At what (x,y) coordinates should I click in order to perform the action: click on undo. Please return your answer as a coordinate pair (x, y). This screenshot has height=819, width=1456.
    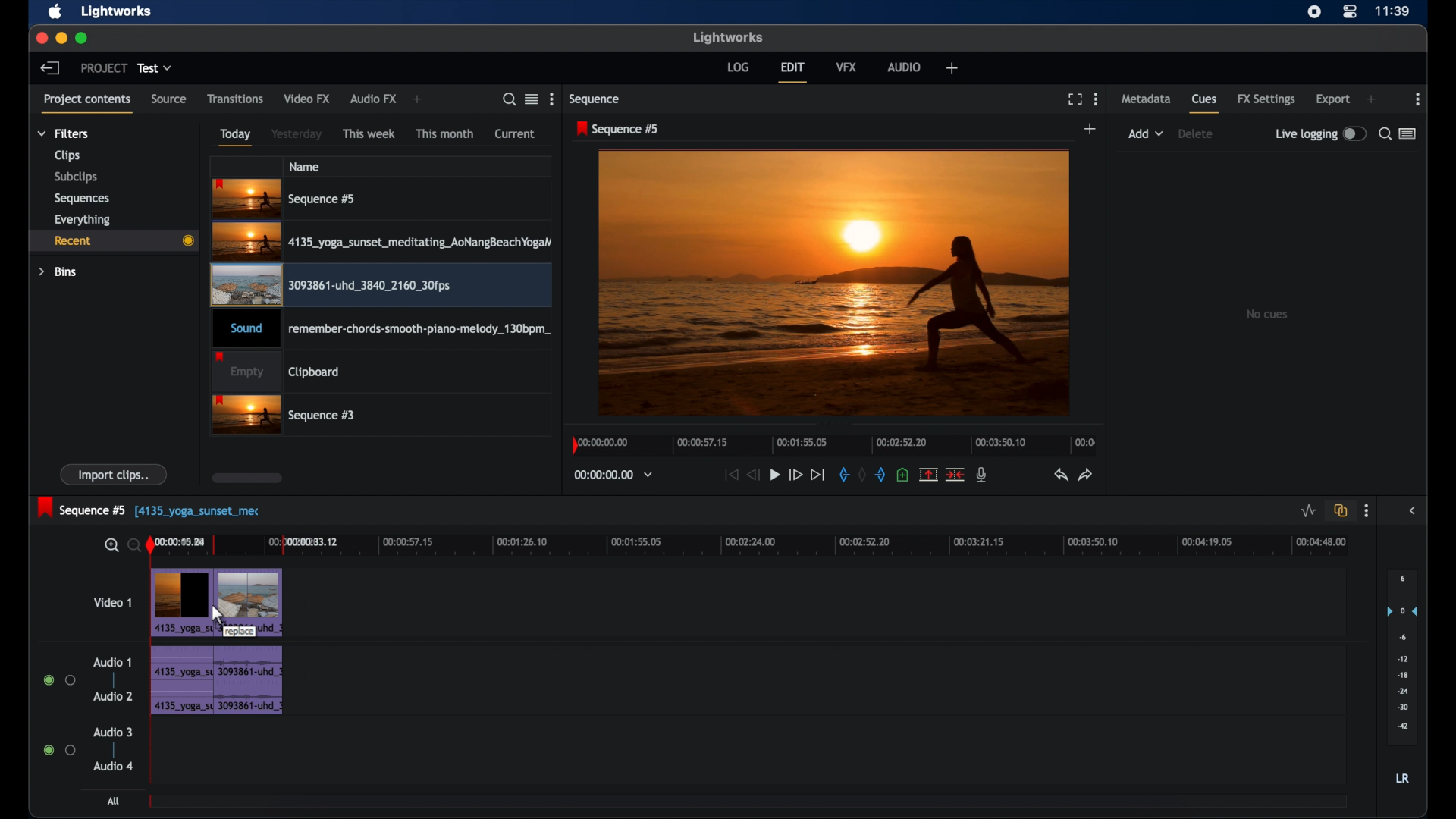
    Looking at the image, I should click on (1059, 475).